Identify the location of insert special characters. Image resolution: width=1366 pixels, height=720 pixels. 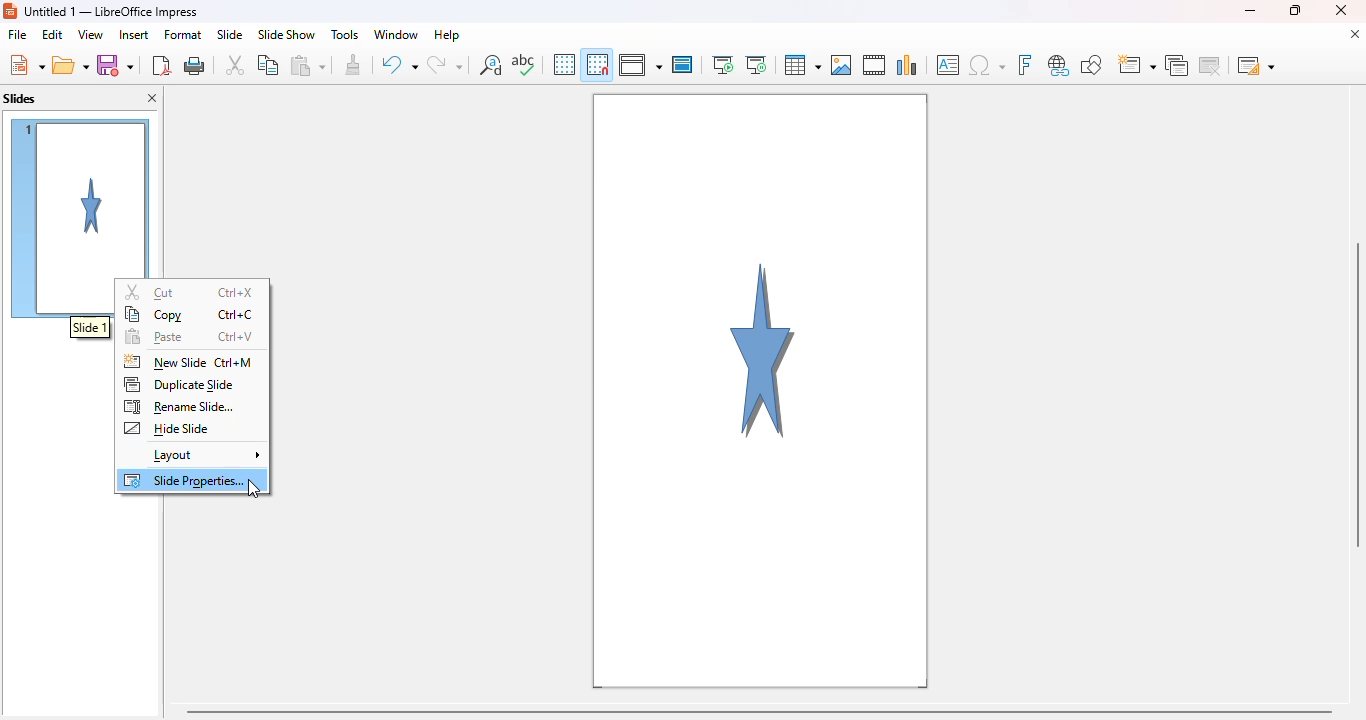
(986, 66).